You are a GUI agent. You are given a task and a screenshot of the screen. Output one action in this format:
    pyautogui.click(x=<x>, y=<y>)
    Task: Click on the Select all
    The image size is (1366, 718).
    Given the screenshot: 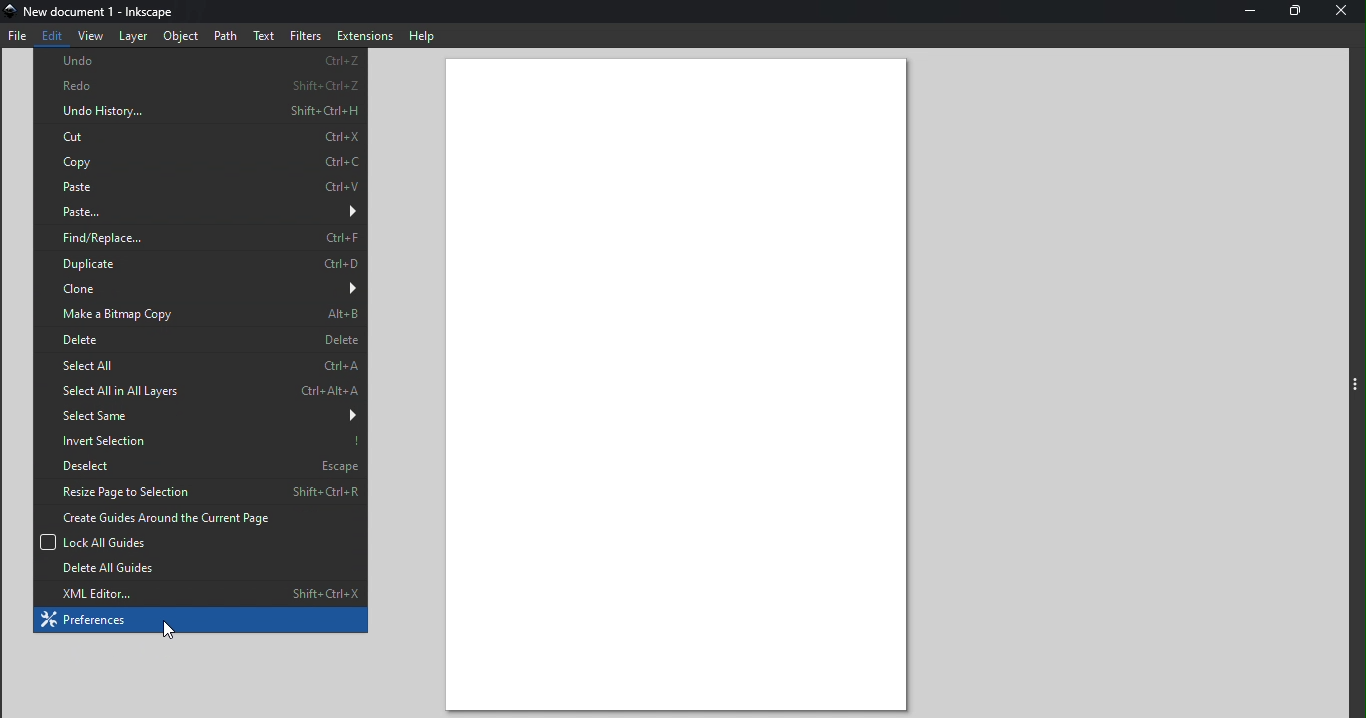 What is the action you would take?
    pyautogui.click(x=199, y=364)
    